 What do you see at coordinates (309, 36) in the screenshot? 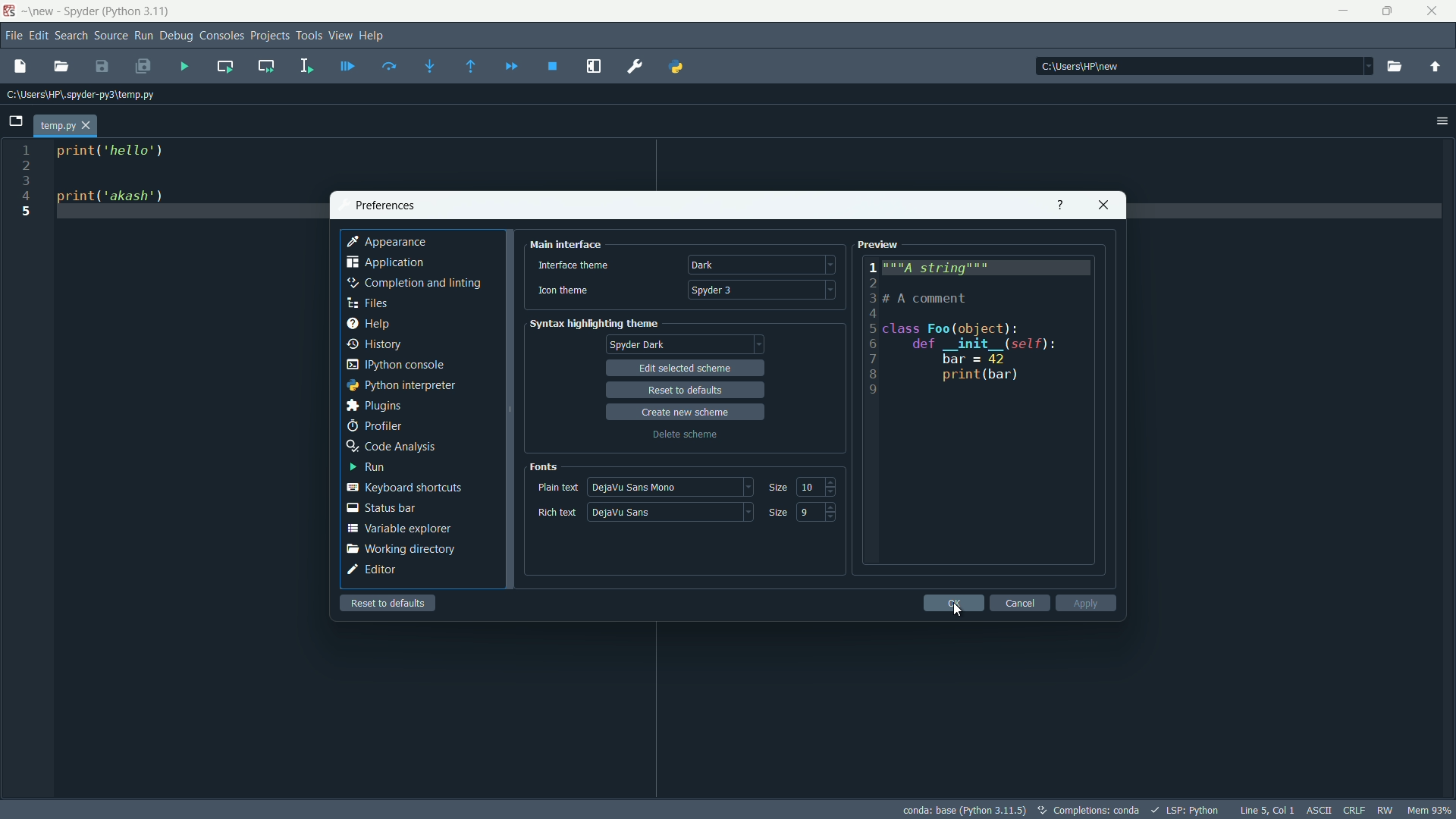
I see `tools menu` at bounding box center [309, 36].